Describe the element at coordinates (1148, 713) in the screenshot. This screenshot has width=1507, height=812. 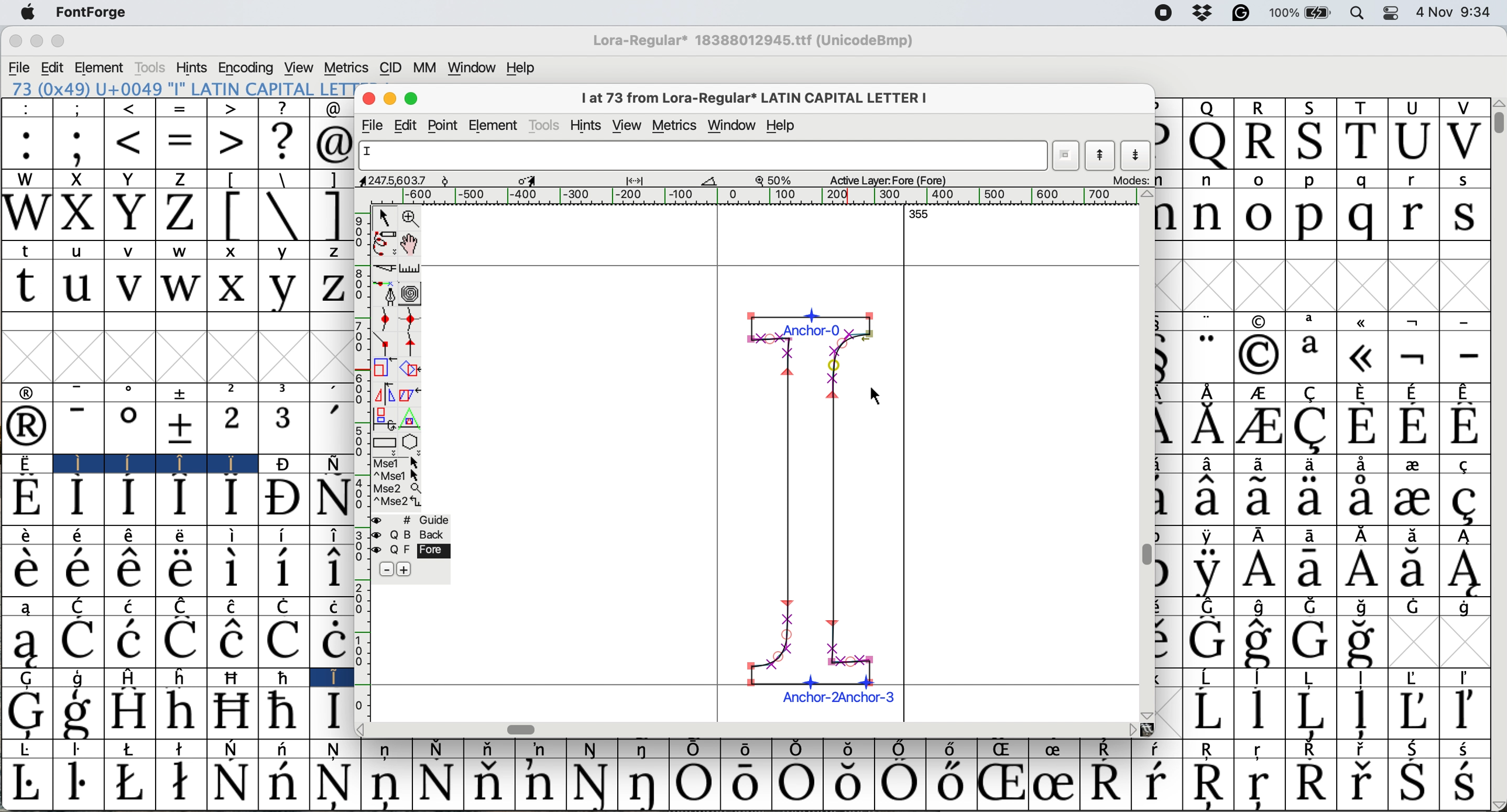
I see `` at that location.